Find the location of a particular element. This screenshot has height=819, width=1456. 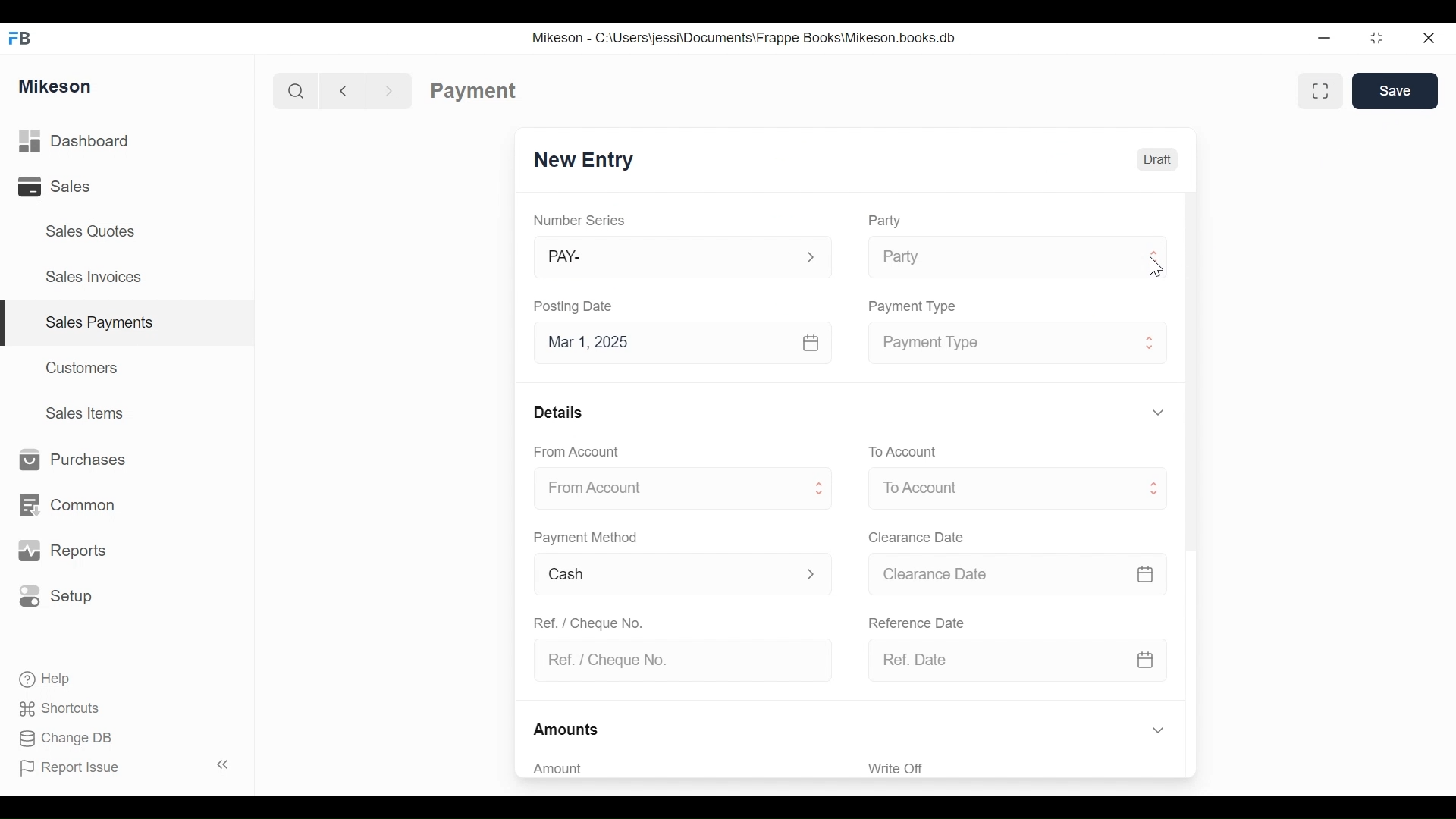

Sales Invoices is located at coordinates (88, 278).